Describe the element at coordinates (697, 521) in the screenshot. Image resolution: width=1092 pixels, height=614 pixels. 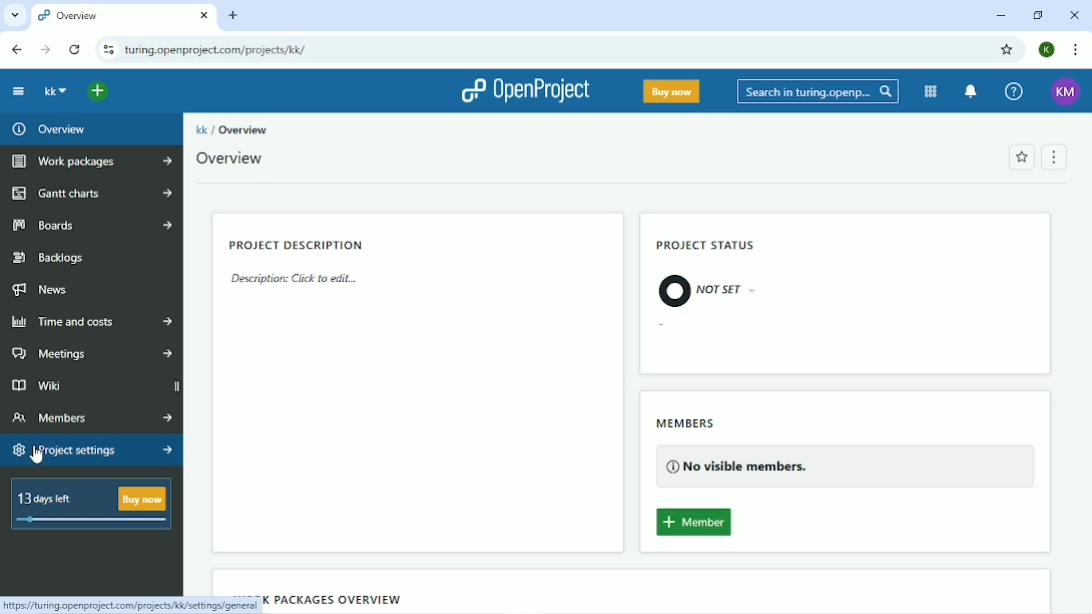
I see `Add member` at that location.